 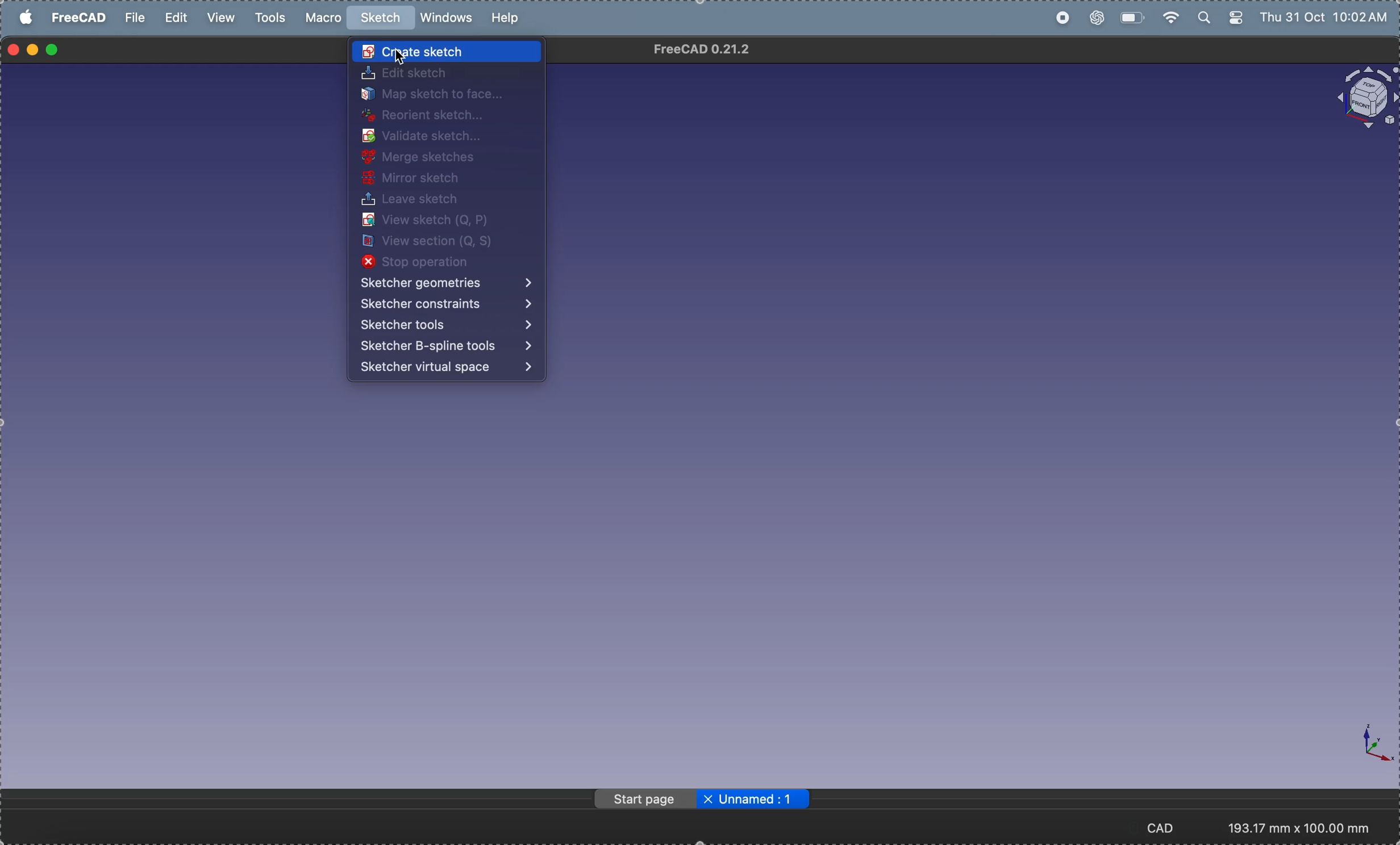 I want to click on edit, so click(x=178, y=18).